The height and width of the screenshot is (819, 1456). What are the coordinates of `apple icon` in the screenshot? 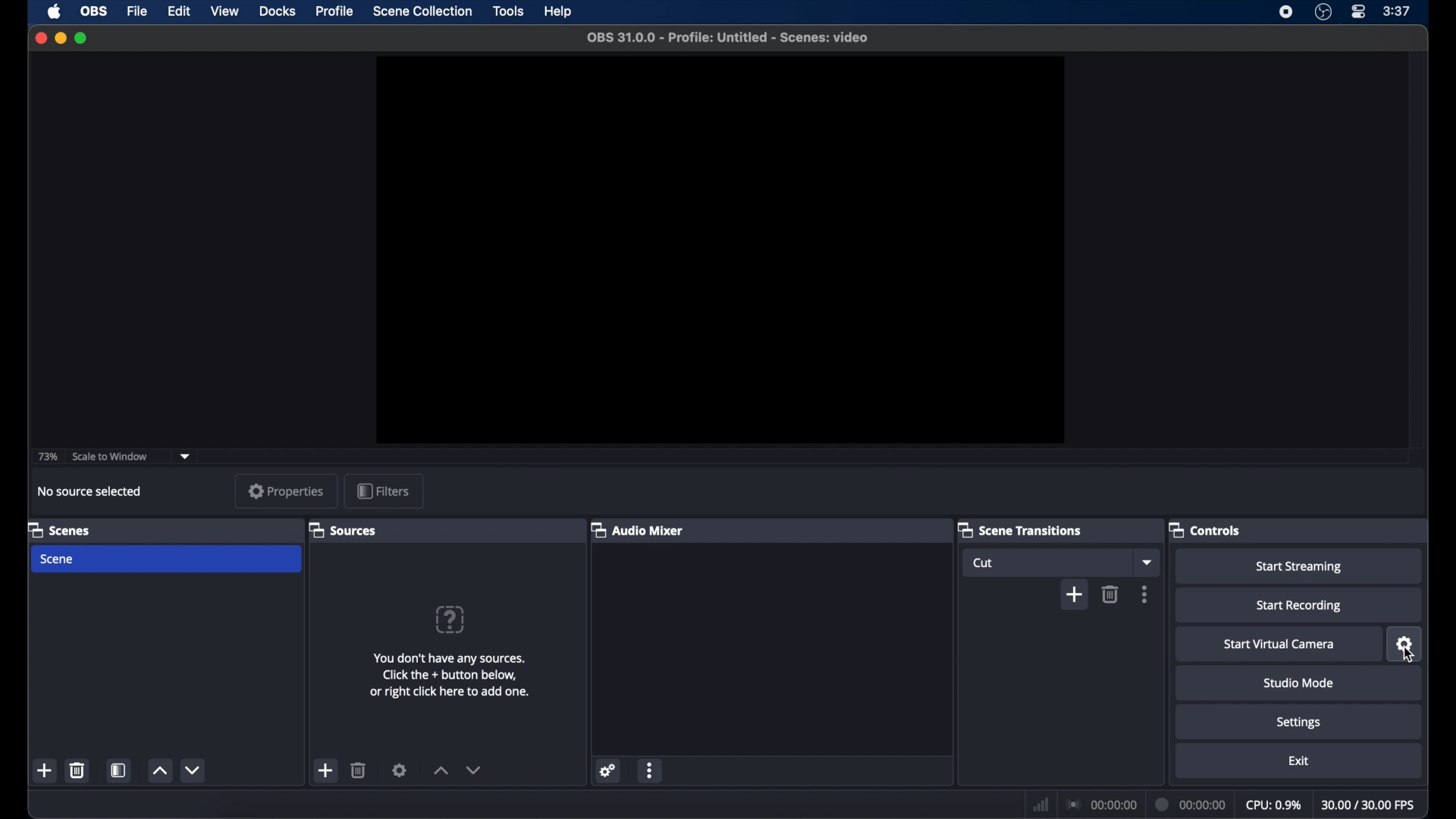 It's located at (55, 12).